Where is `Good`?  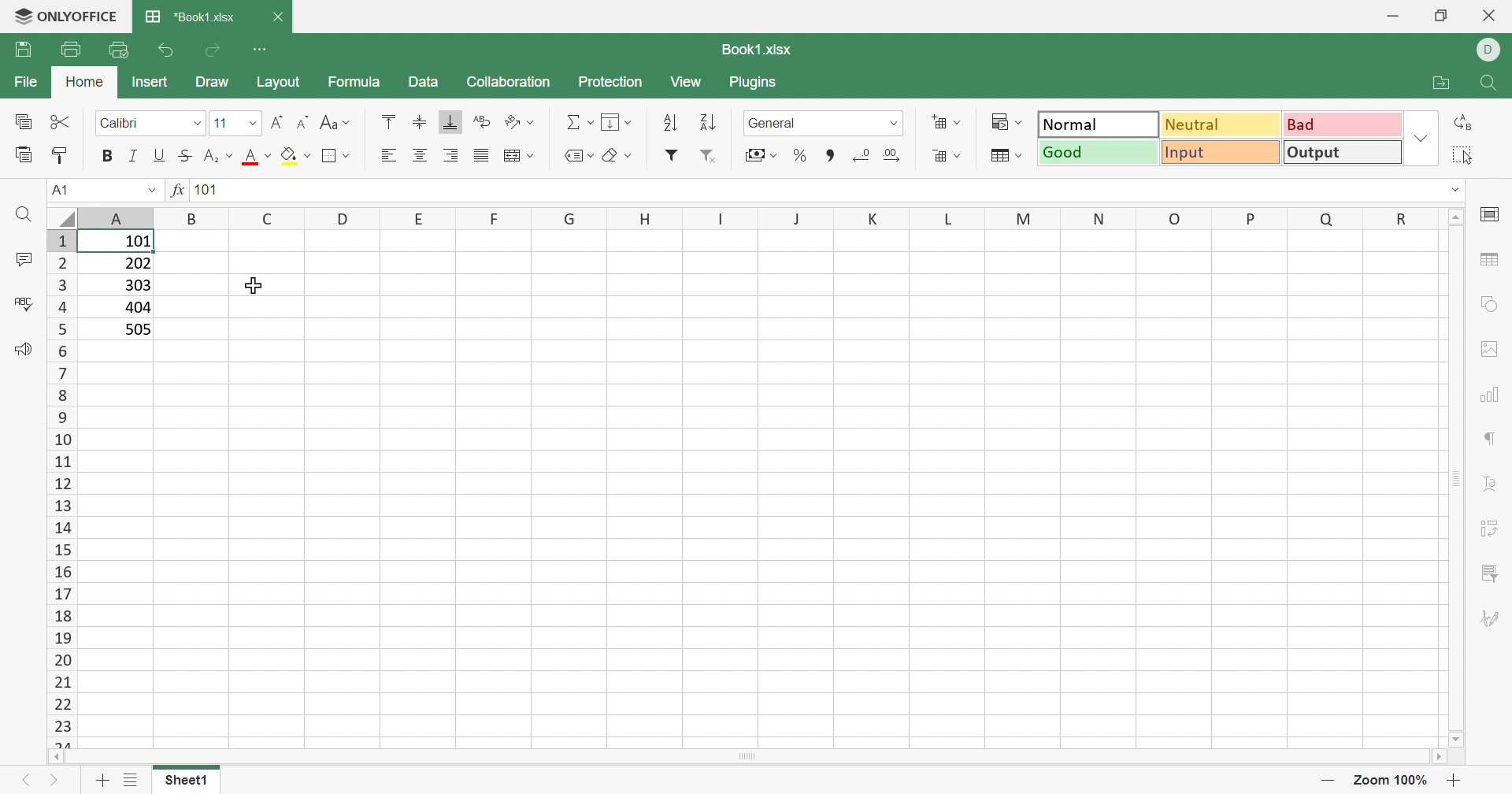
Good is located at coordinates (1095, 151).